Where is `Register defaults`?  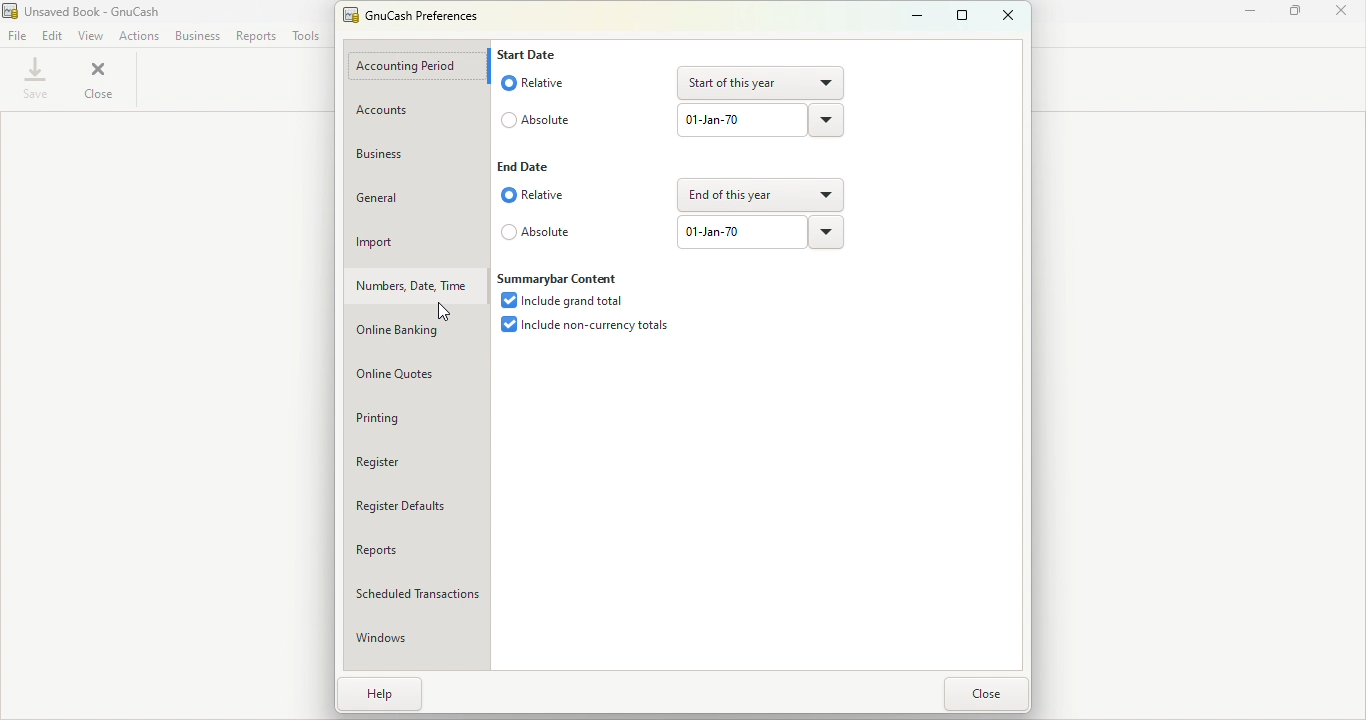 Register defaults is located at coordinates (408, 505).